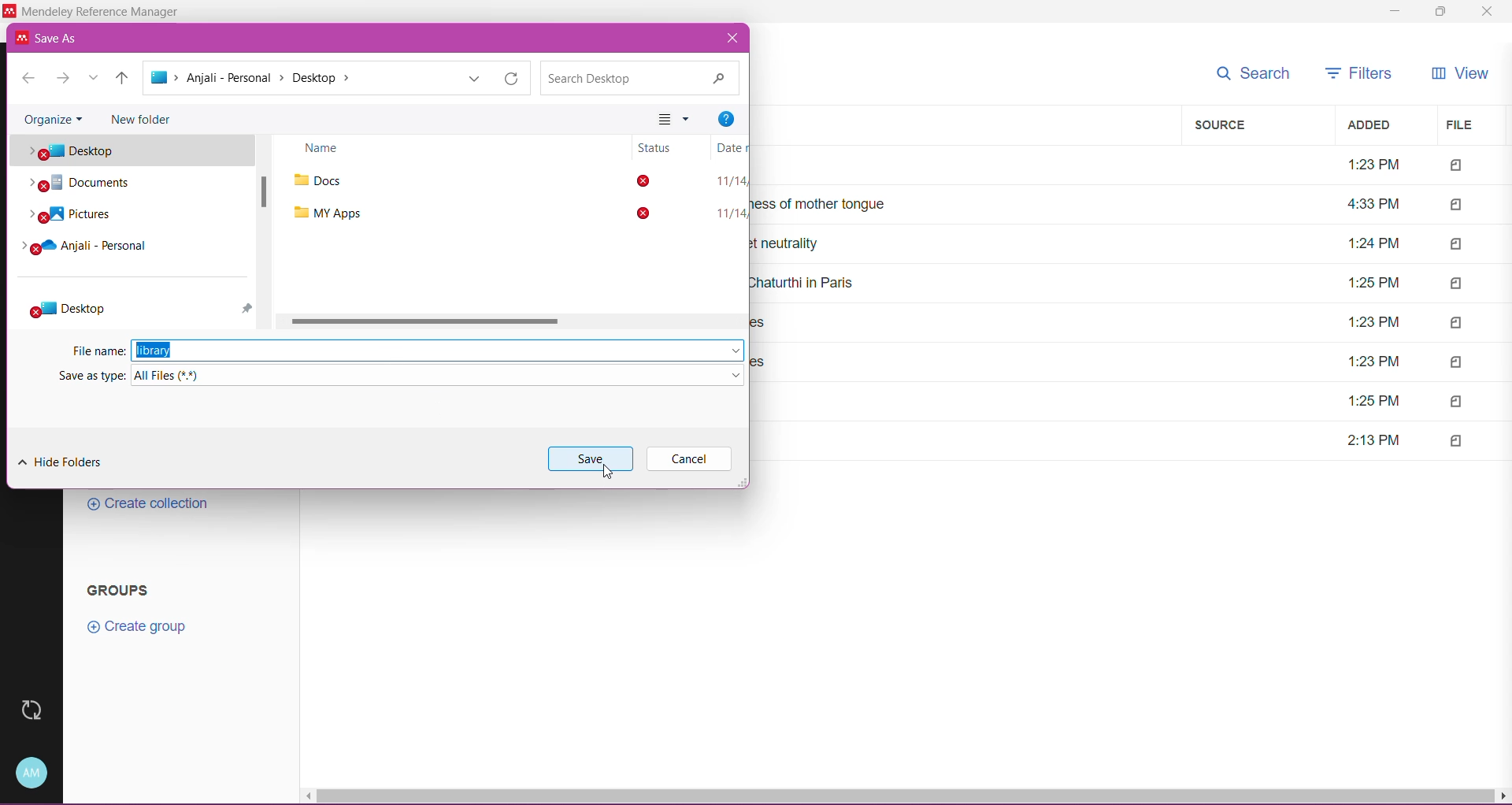 The width and height of the screenshot is (1512, 805). What do you see at coordinates (1373, 243) in the screenshot?
I see `1:24 PM` at bounding box center [1373, 243].